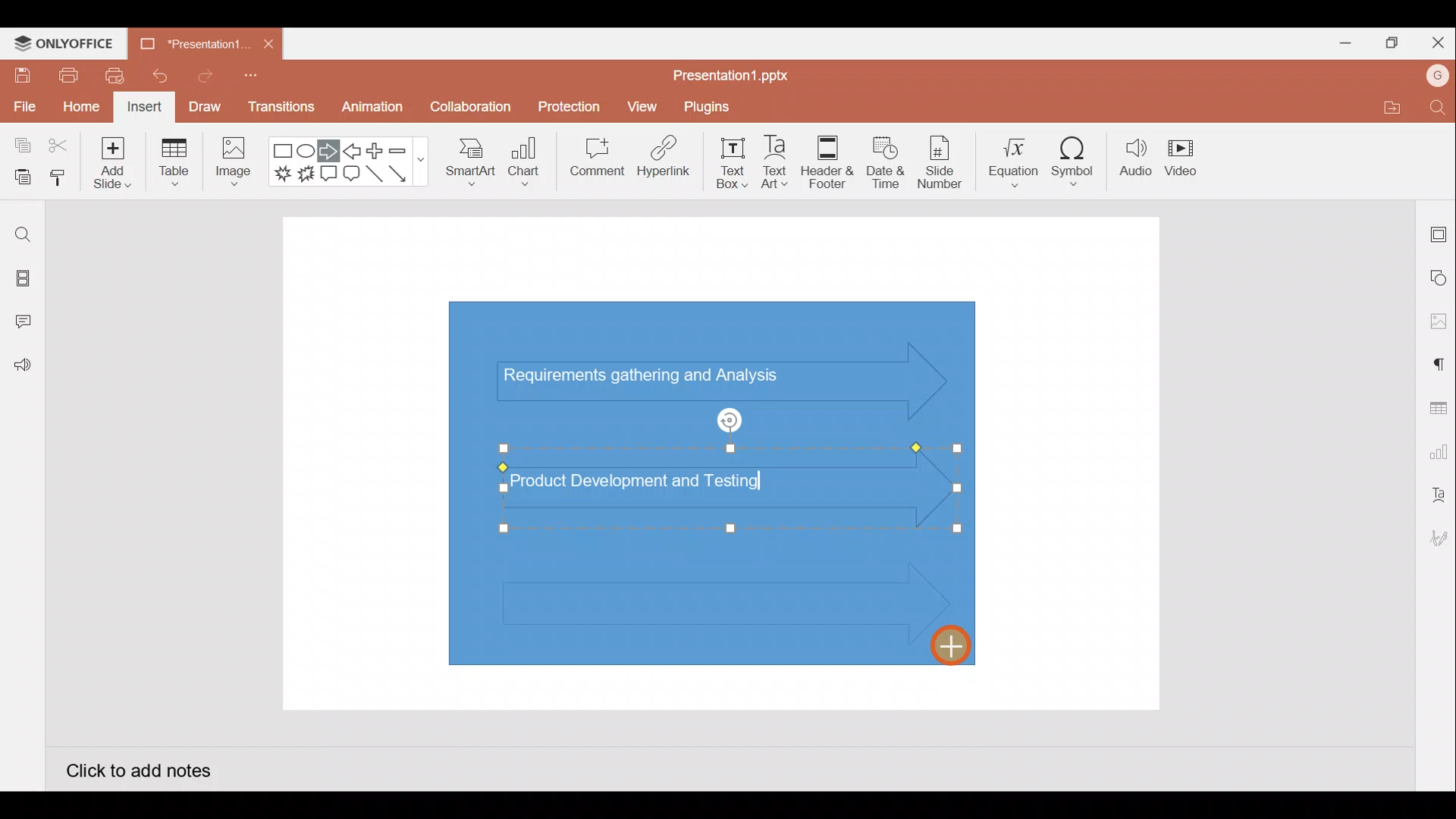 Image resolution: width=1456 pixels, height=819 pixels. What do you see at coordinates (1183, 155) in the screenshot?
I see `Video` at bounding box center [1183, 155].